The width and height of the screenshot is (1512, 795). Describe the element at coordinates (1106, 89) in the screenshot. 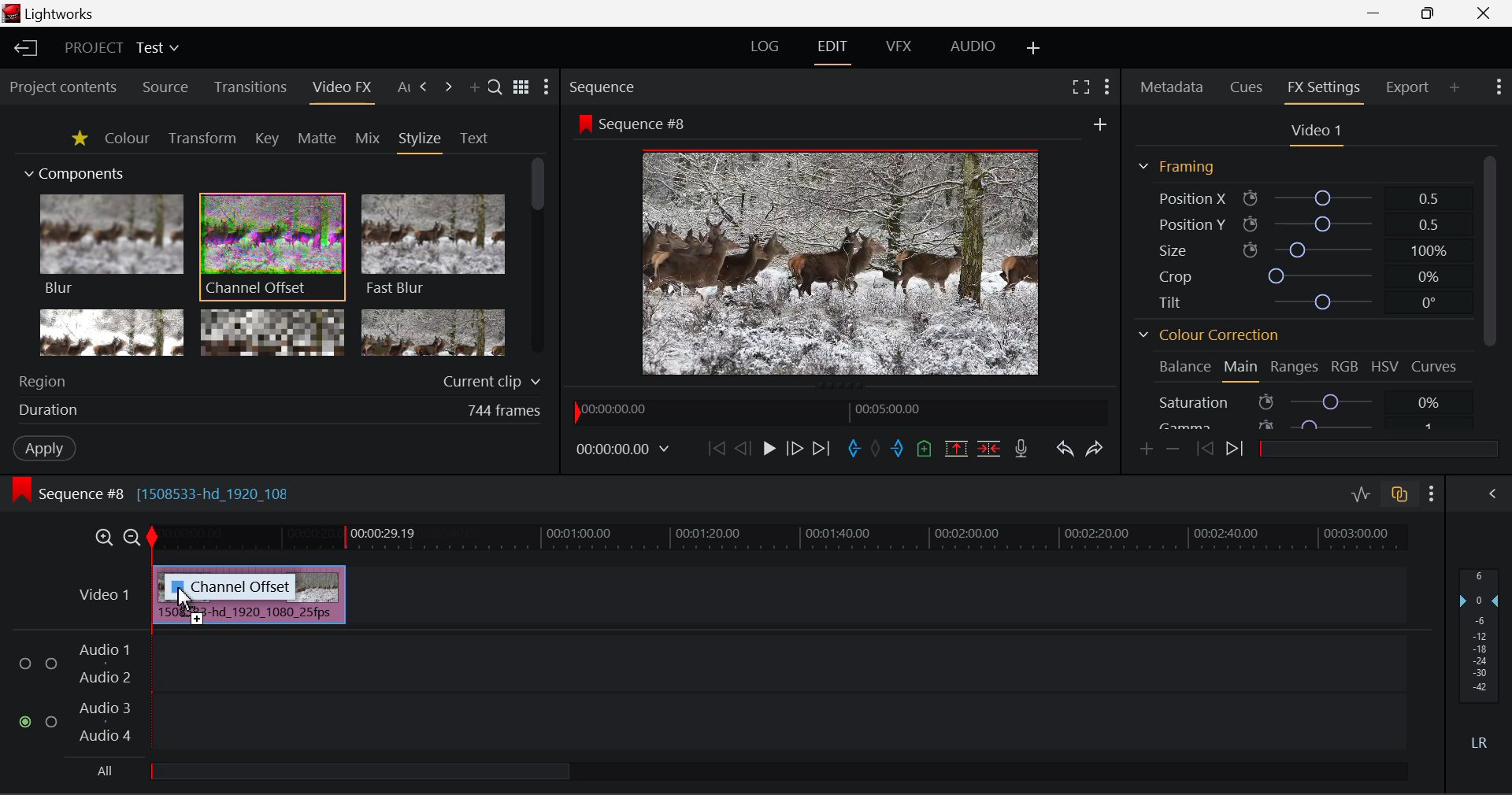

I see `Show Settings` at that location.